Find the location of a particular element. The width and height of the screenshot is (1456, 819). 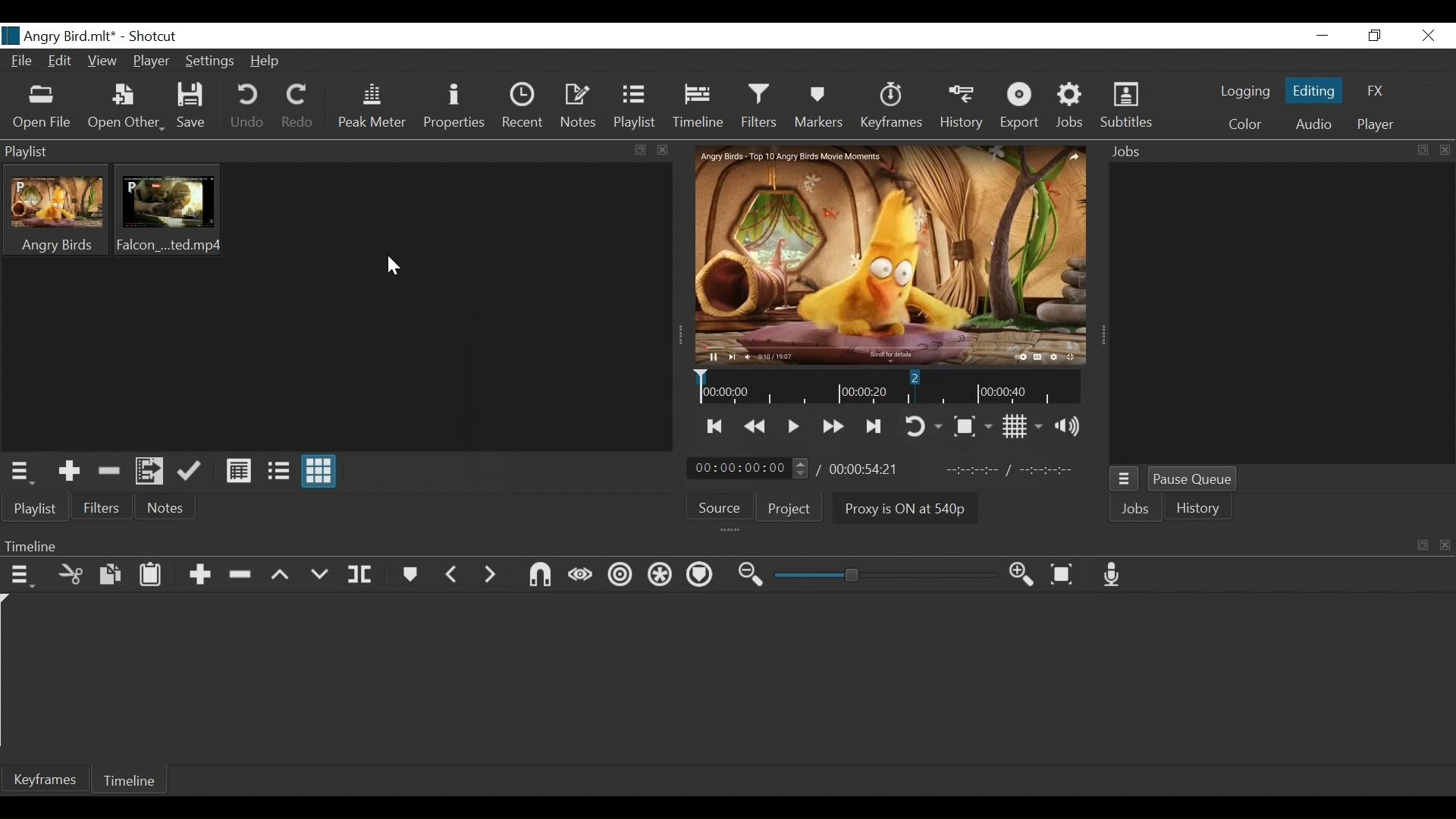

Properties is located at coordinates (457, 107).